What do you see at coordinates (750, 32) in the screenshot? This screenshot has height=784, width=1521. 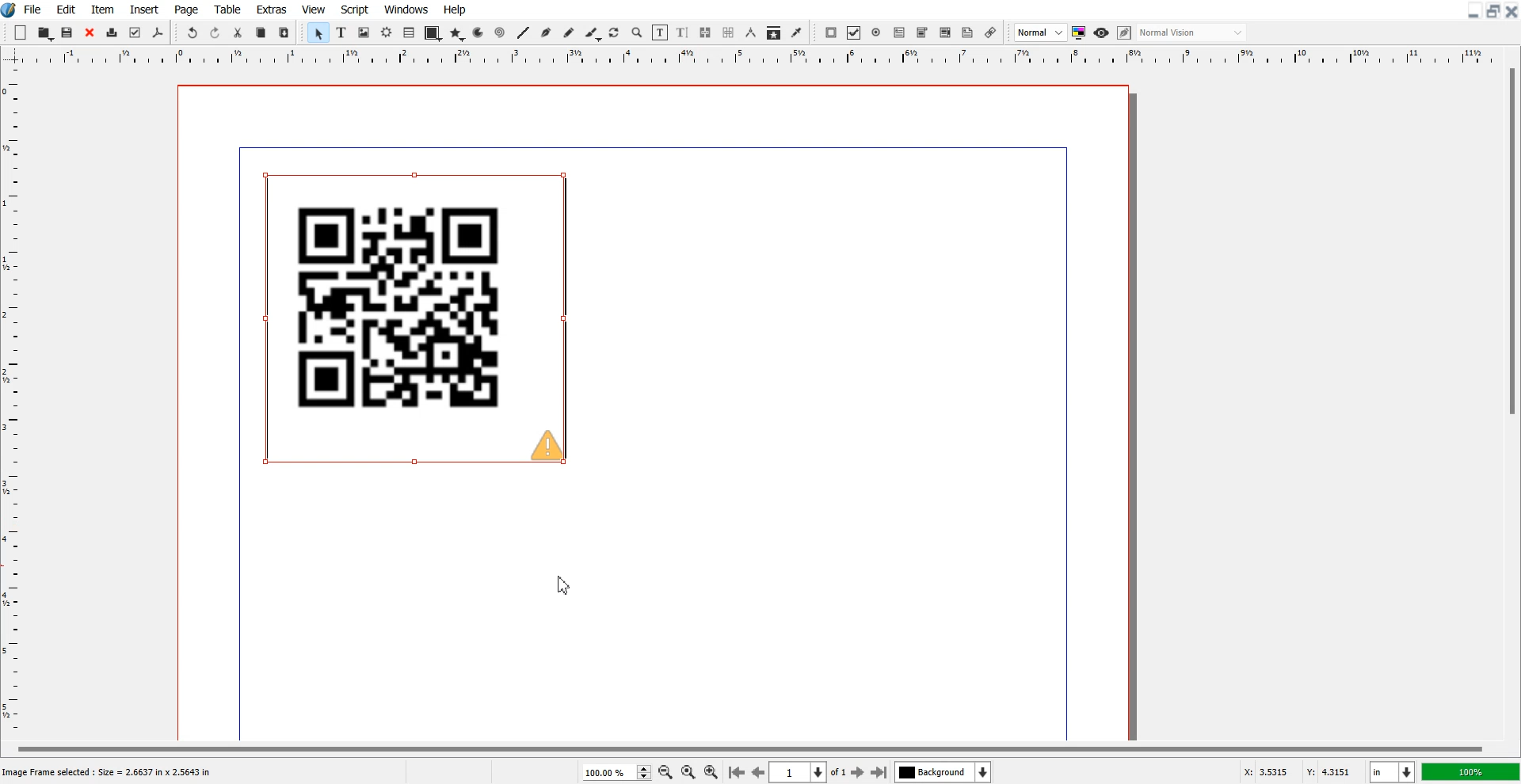 I see `Measurements ` at bounding box center [750, 32].